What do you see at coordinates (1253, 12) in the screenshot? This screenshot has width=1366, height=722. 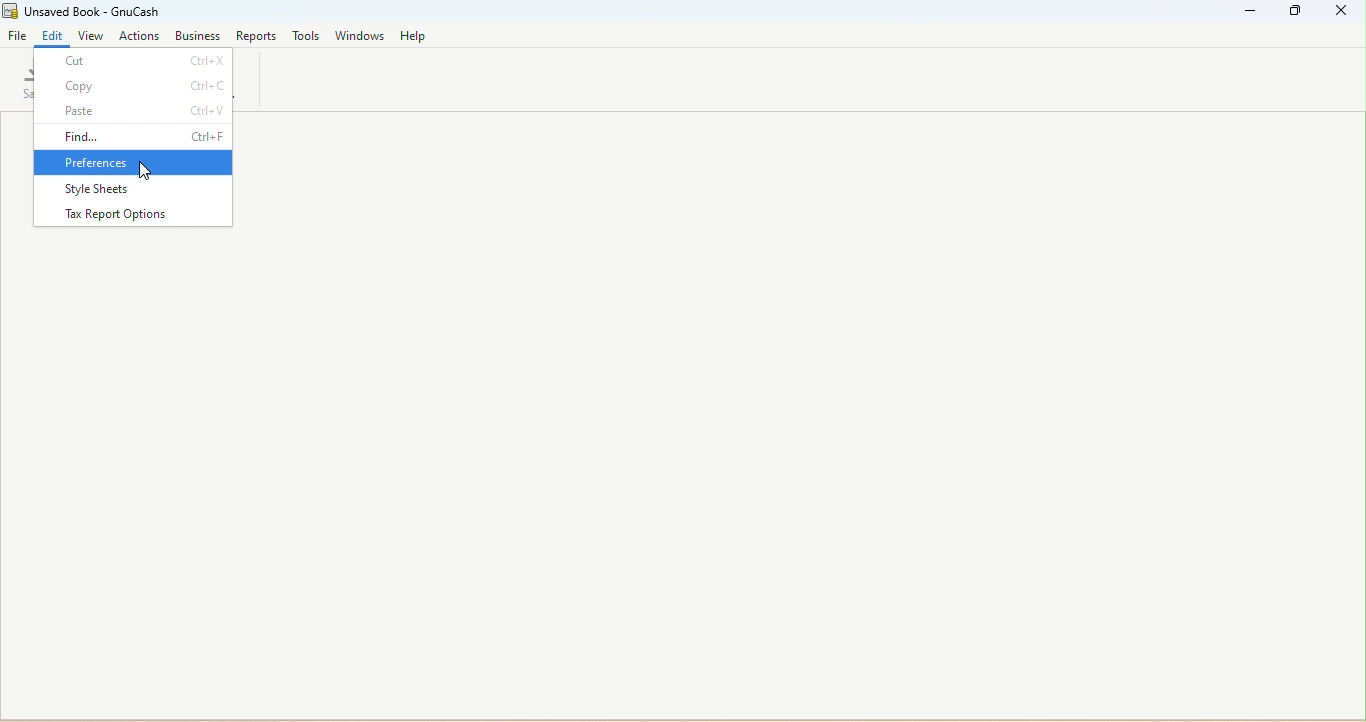 I see `Minimize` at bounding box center [1253, 12].